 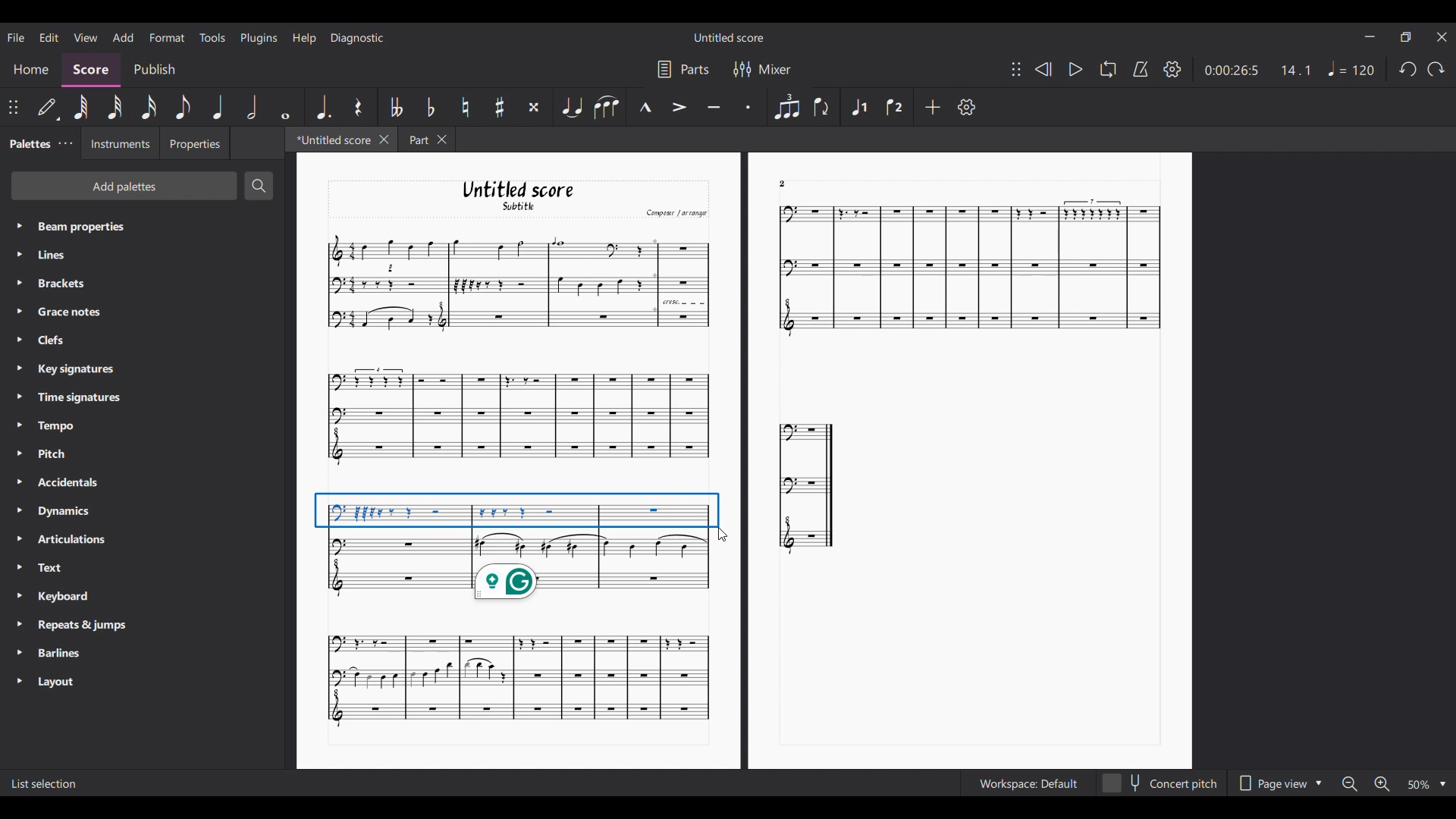 What do you see at coordinates (65, 682) in the screenshot?
I see `> Layout` at bounding box center [65, 682].